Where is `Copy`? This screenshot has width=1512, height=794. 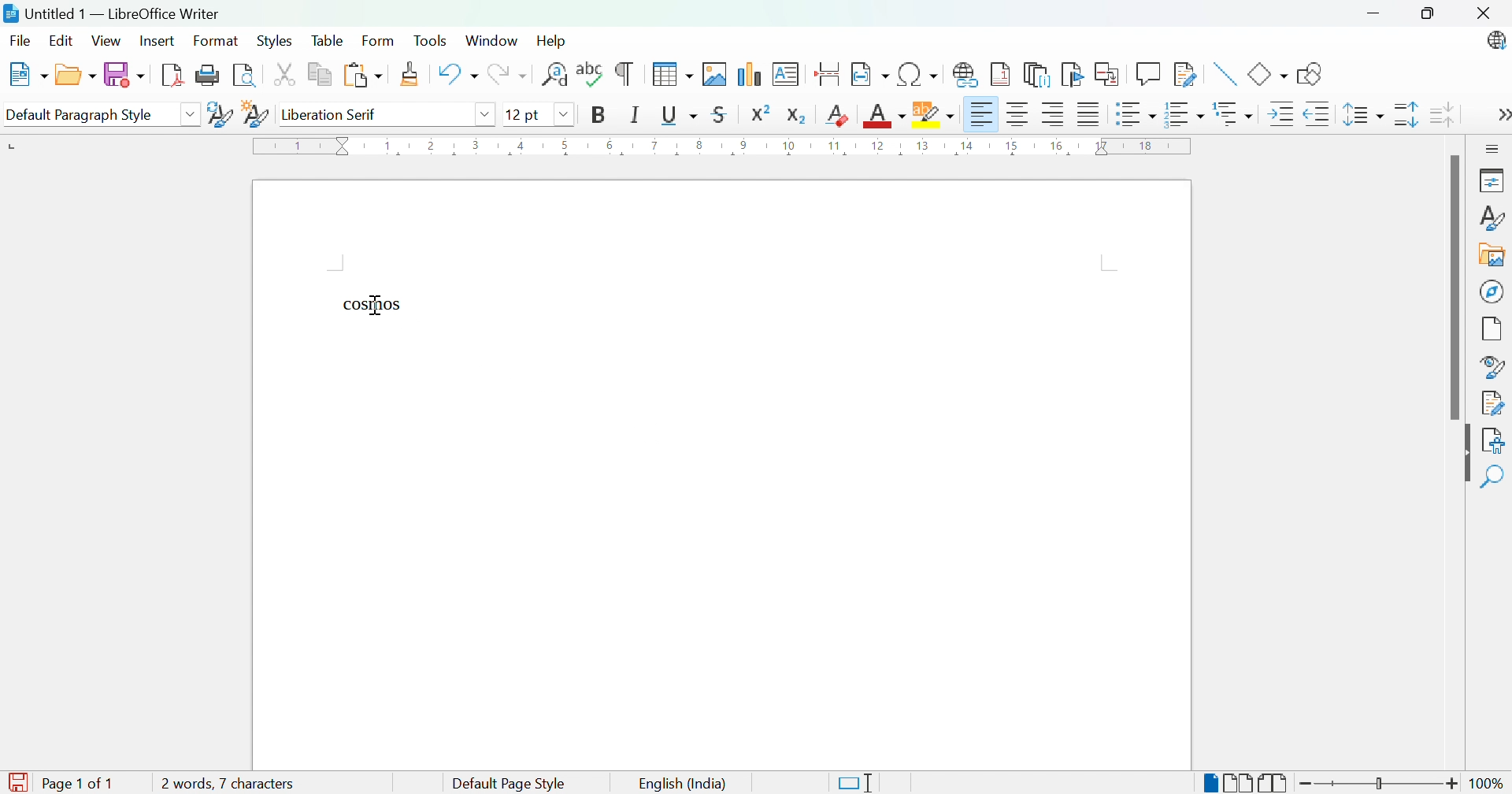
Copy is located at coordinates (324, 75).